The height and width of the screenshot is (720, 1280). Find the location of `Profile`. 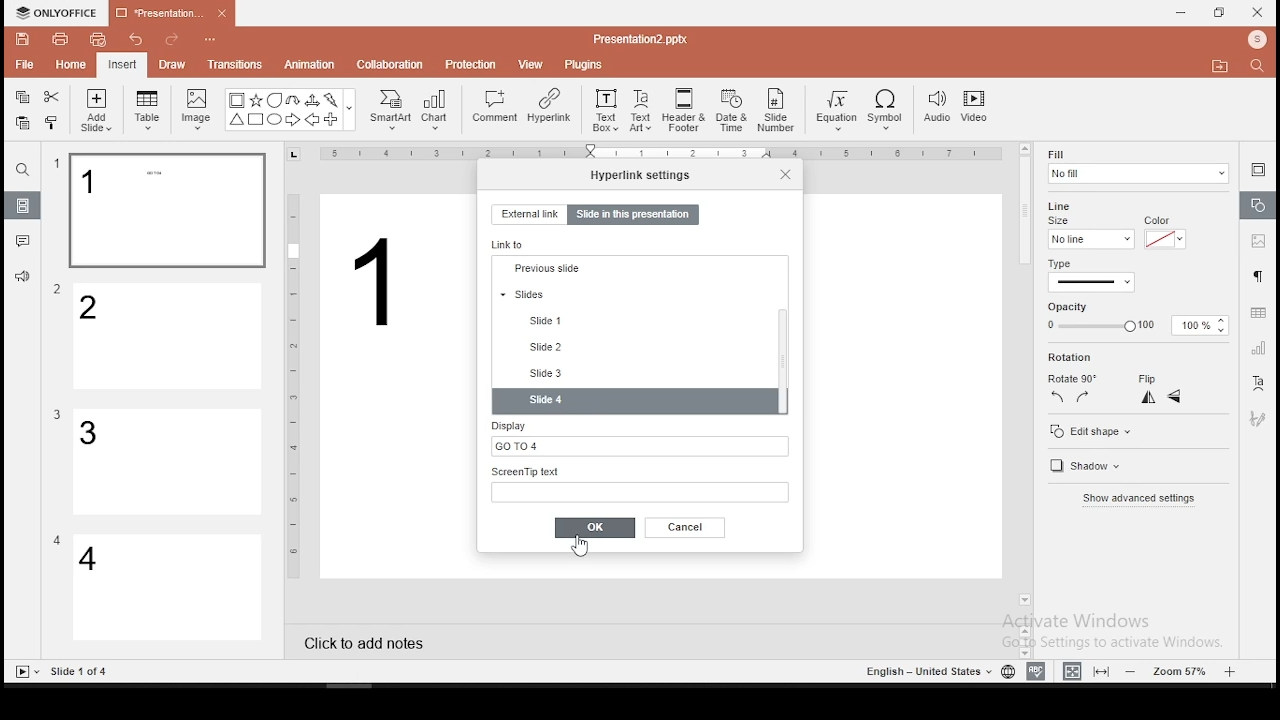

Profile is located at coordinates (1259, 40).